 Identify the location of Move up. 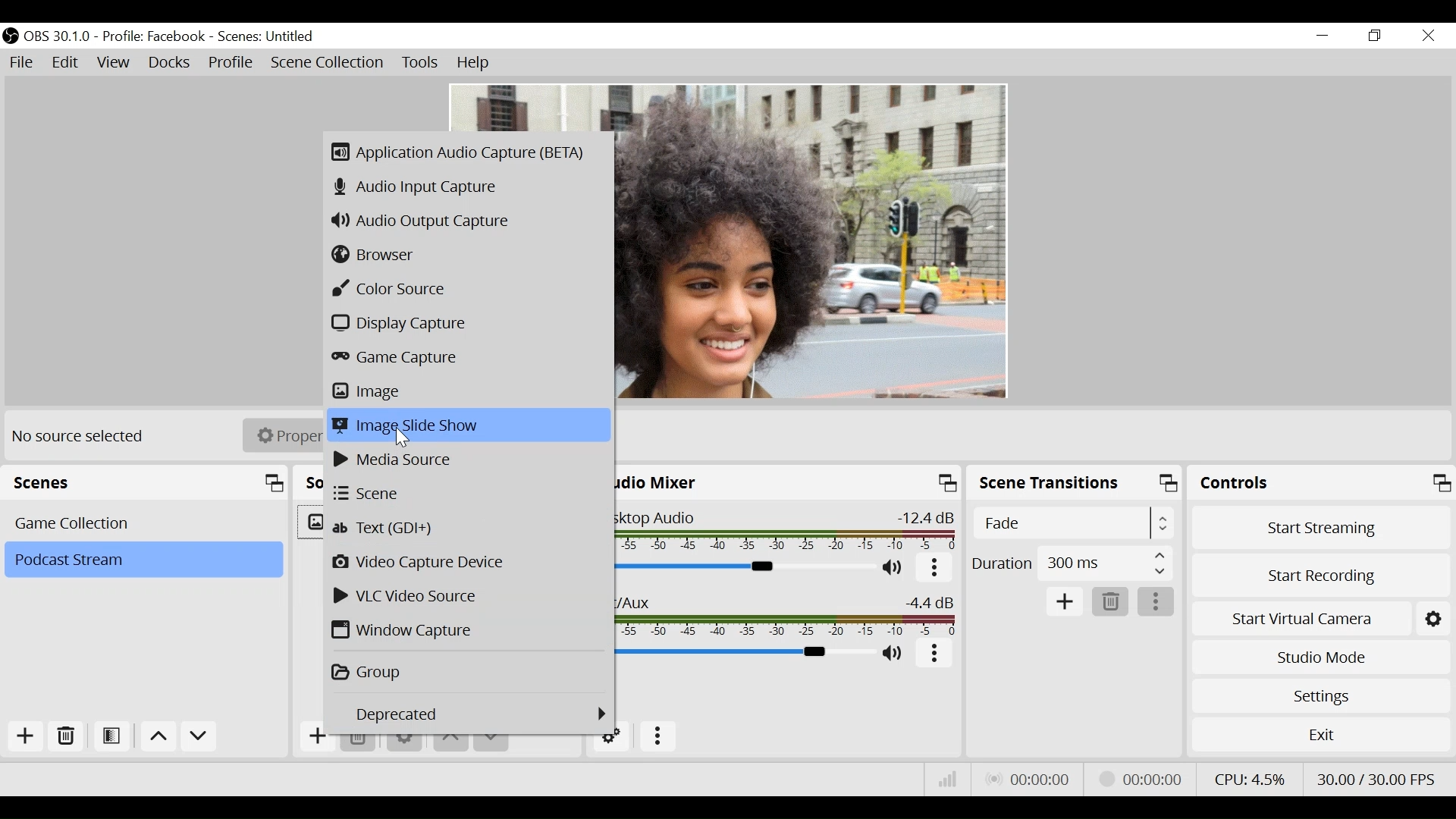
(161, 739).